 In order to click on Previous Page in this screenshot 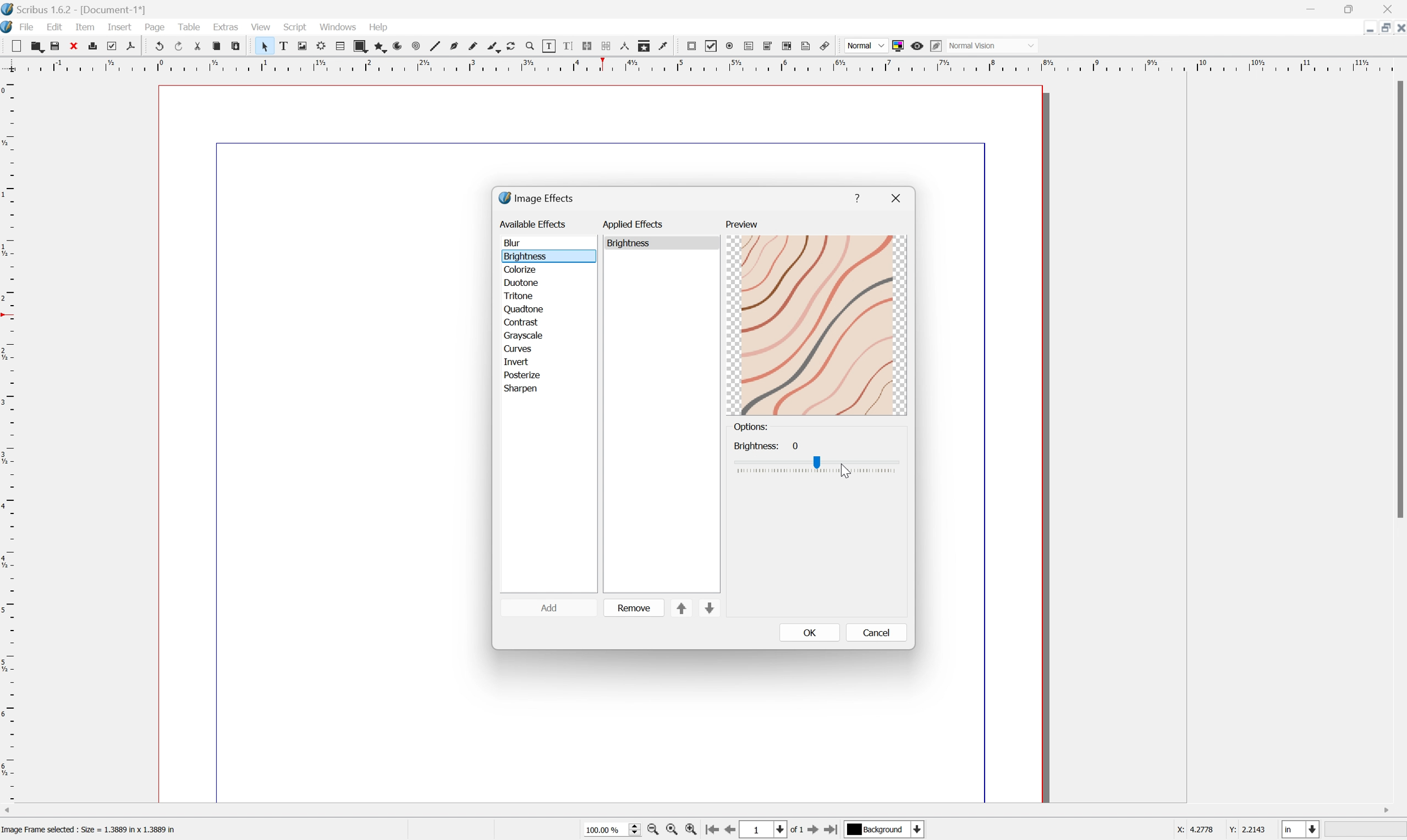, I will do `click(733, 830)`.